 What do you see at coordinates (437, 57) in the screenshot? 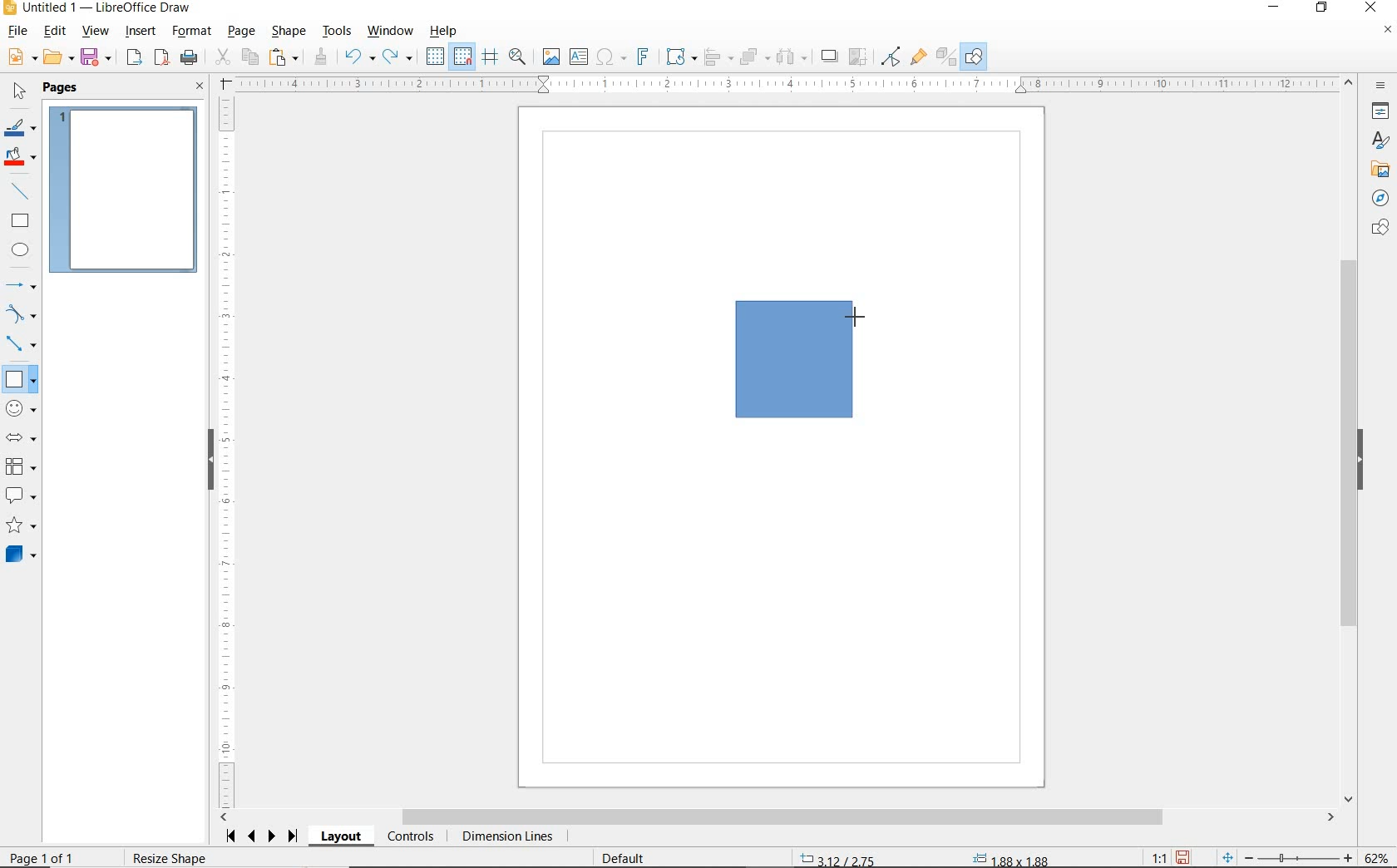
I see `DISPLAY GRID` at bounding box center [437, 57].